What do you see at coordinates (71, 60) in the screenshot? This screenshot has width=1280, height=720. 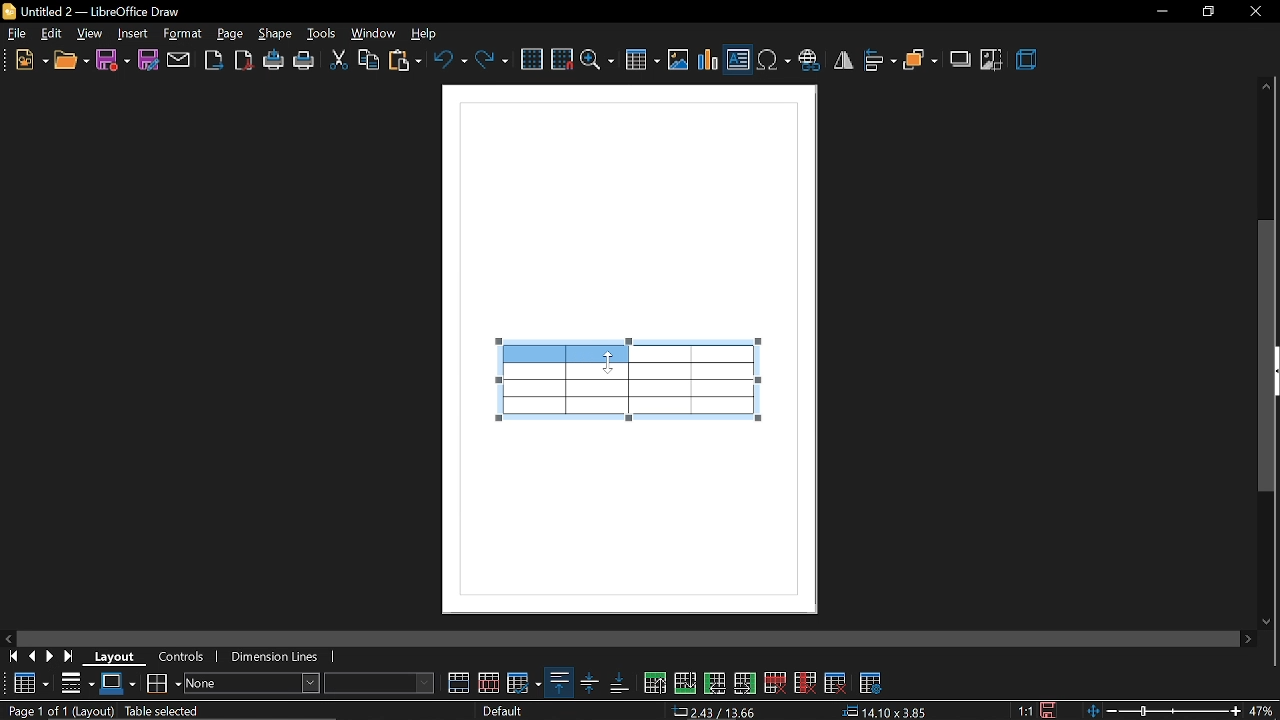 I see `open` at bounding box center [71, 60].